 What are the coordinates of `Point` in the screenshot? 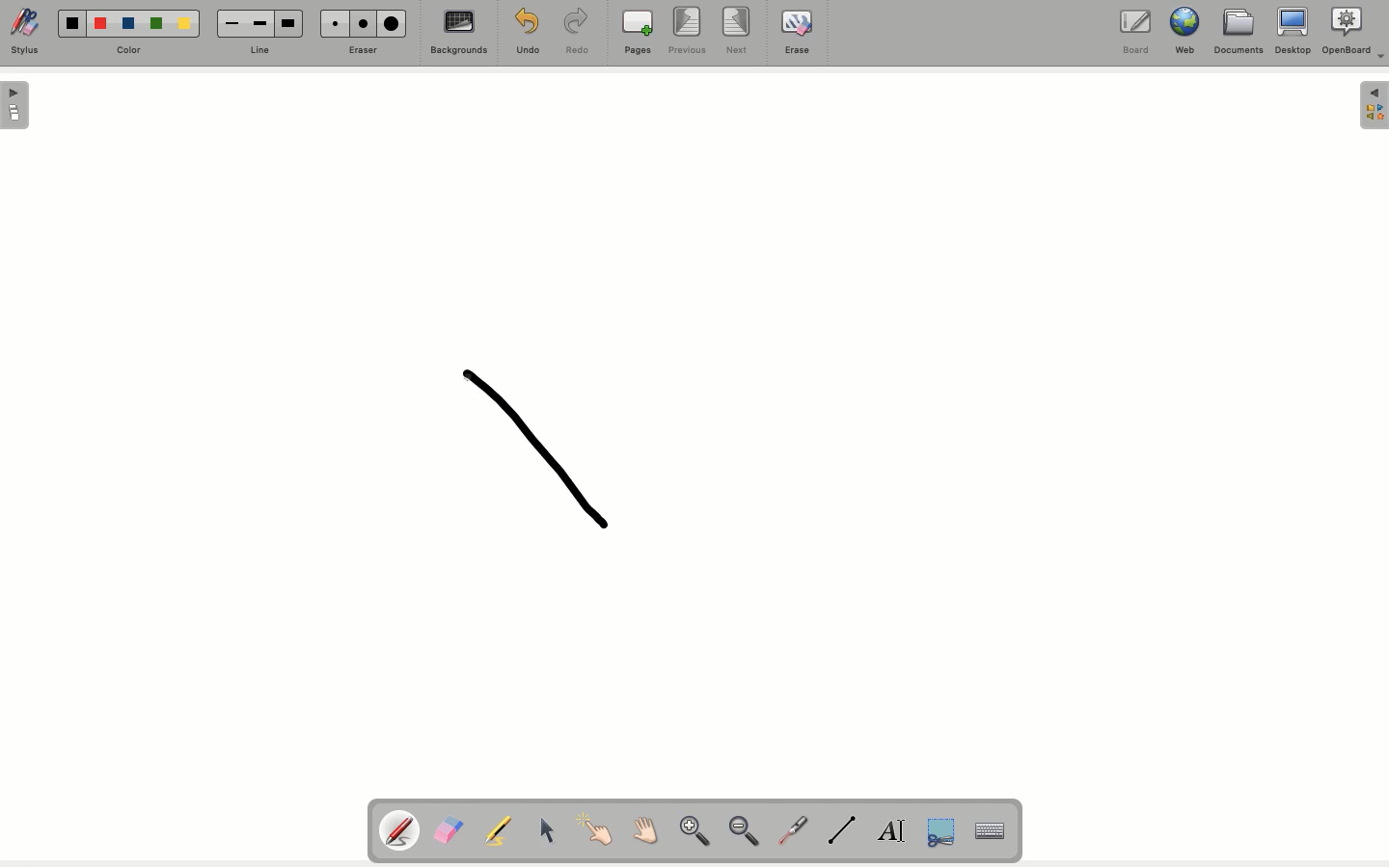 It's located at (594, 827).